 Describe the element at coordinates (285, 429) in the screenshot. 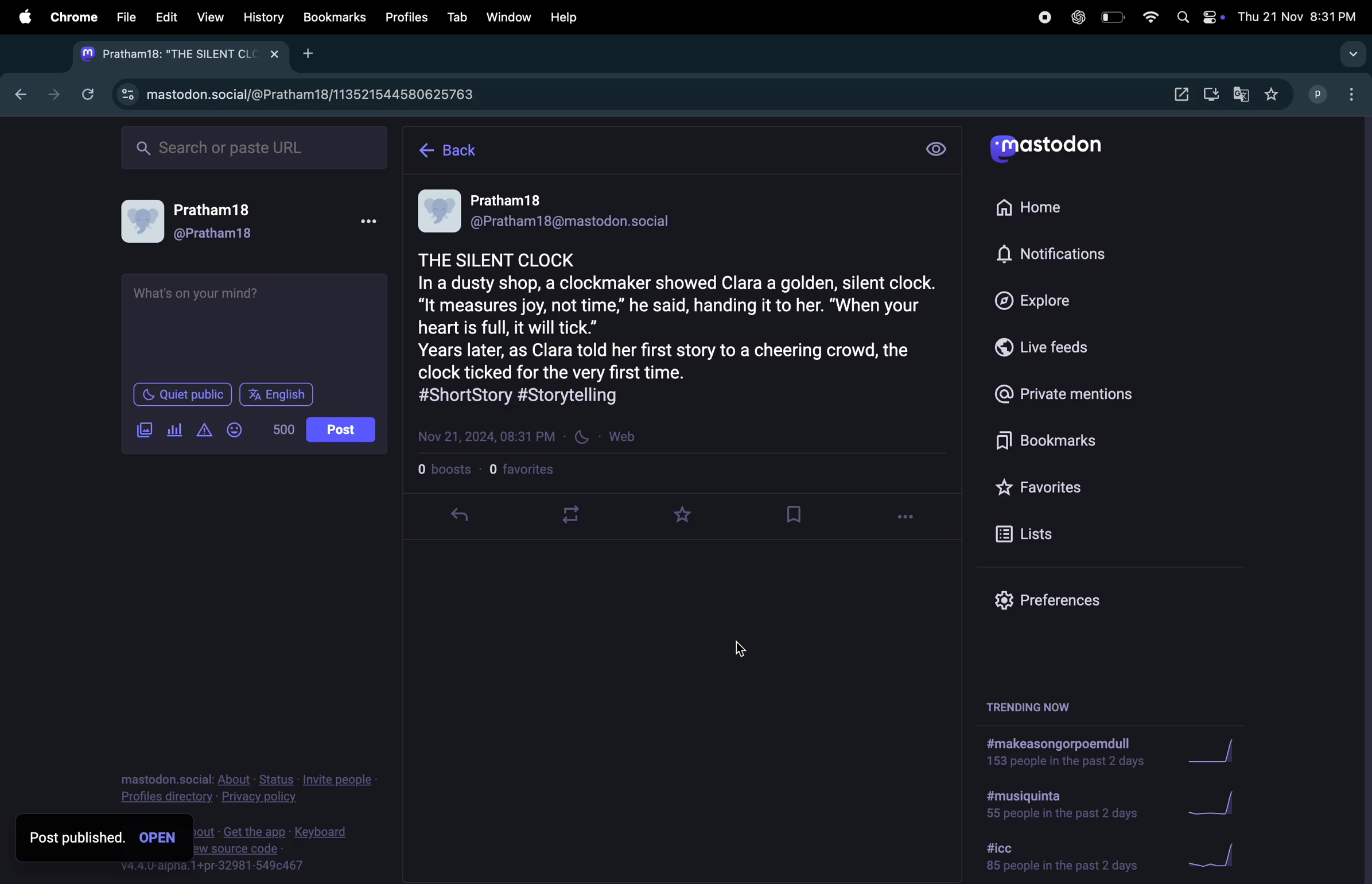

I see `words` at that location.